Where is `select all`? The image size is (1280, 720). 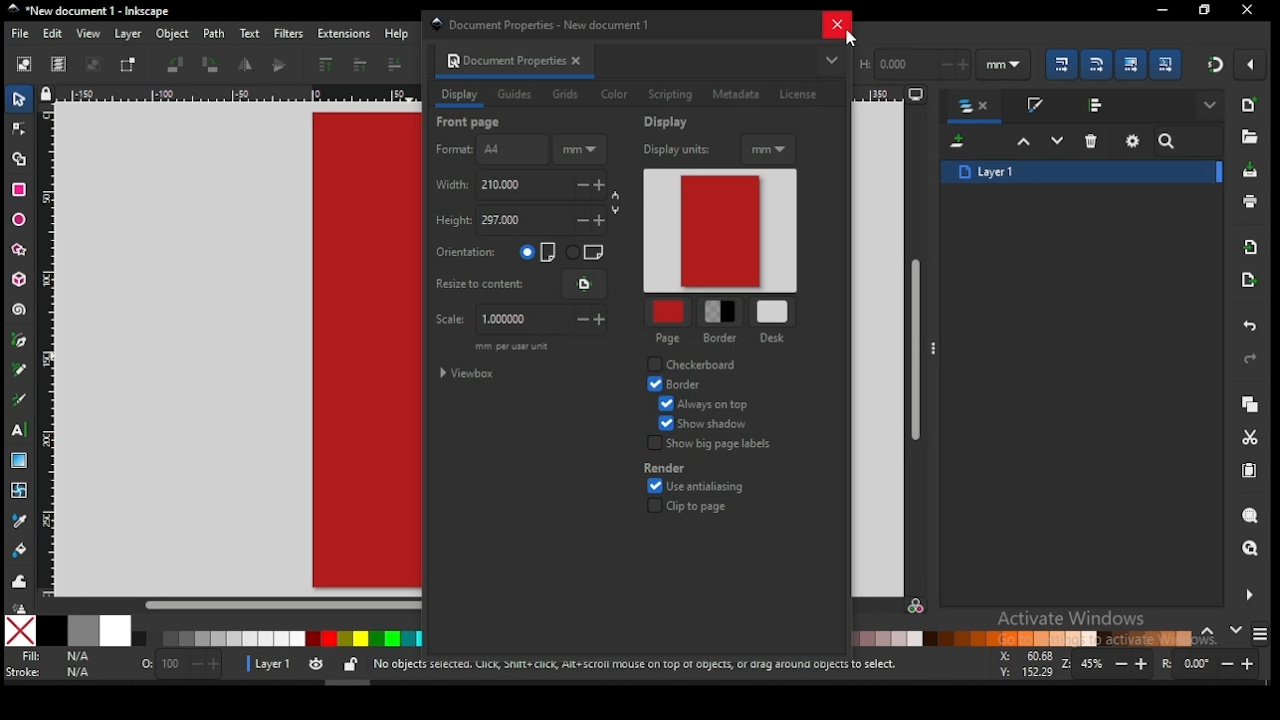 select all is located at coordinates (26, 63).